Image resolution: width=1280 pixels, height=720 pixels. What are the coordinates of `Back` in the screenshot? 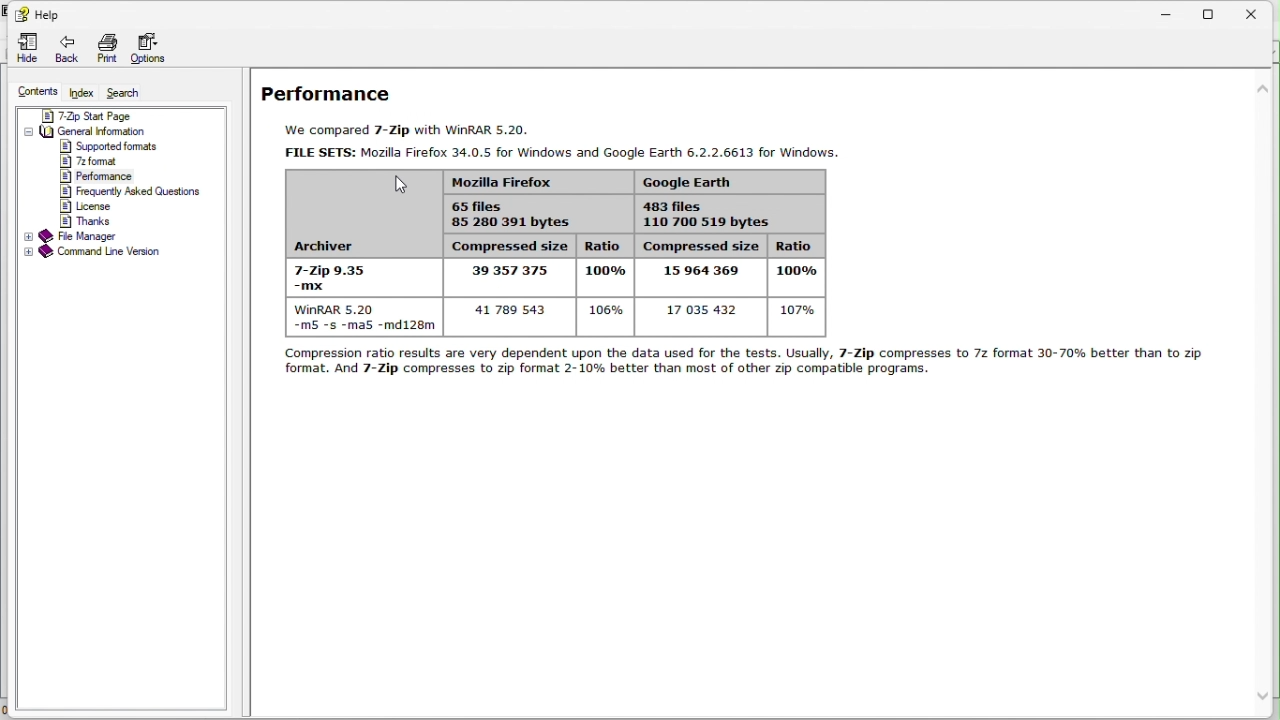 It's located at (64, 50).